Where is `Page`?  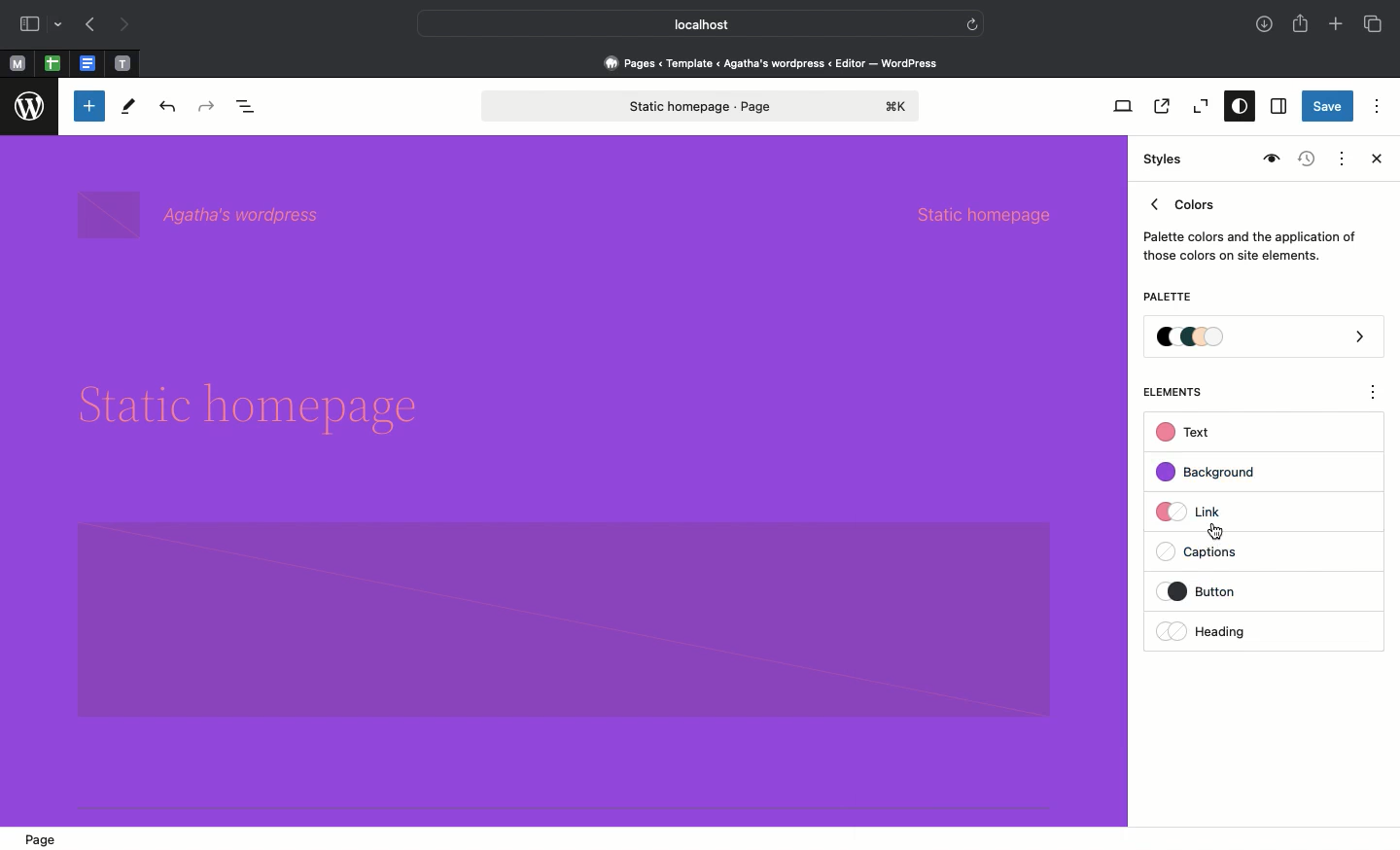 Page is located at coordinates (701, 106).